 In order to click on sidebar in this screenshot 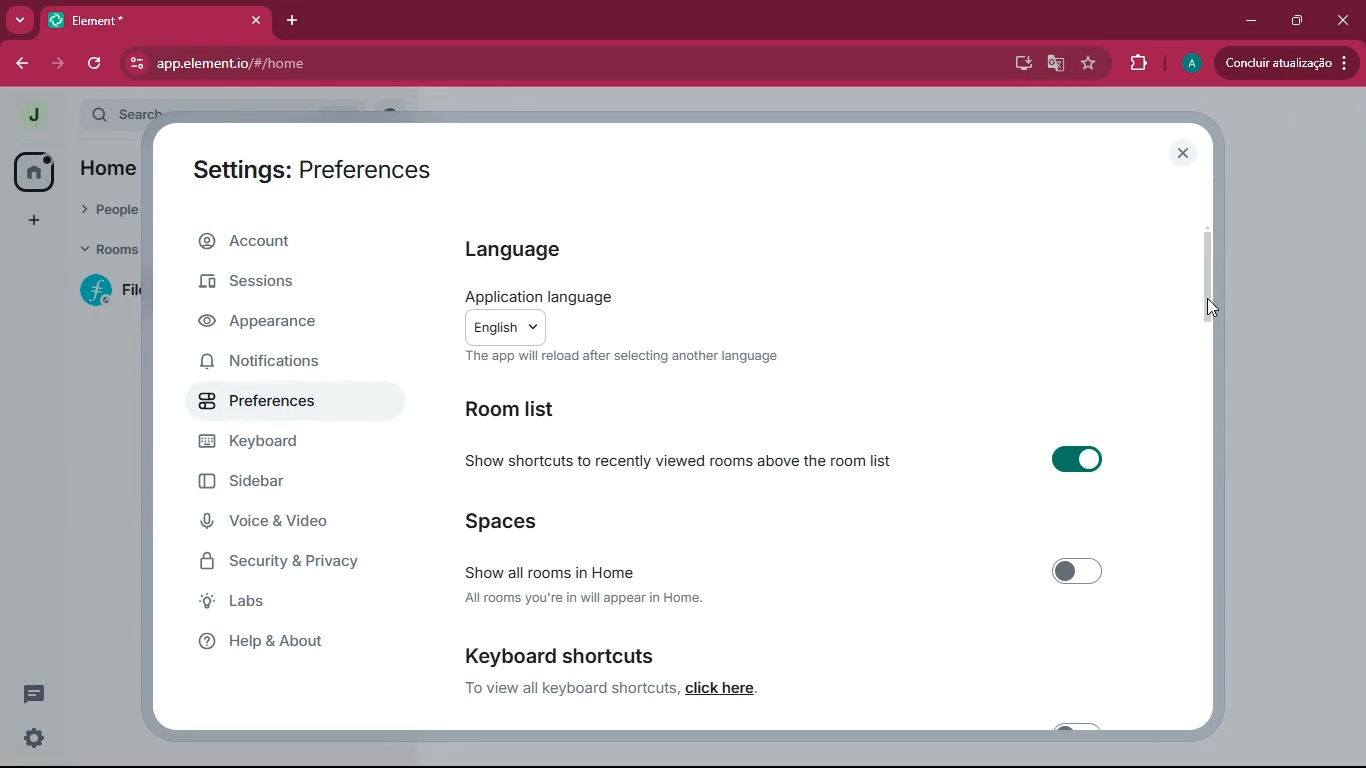, I will do `click(283, 481)`.